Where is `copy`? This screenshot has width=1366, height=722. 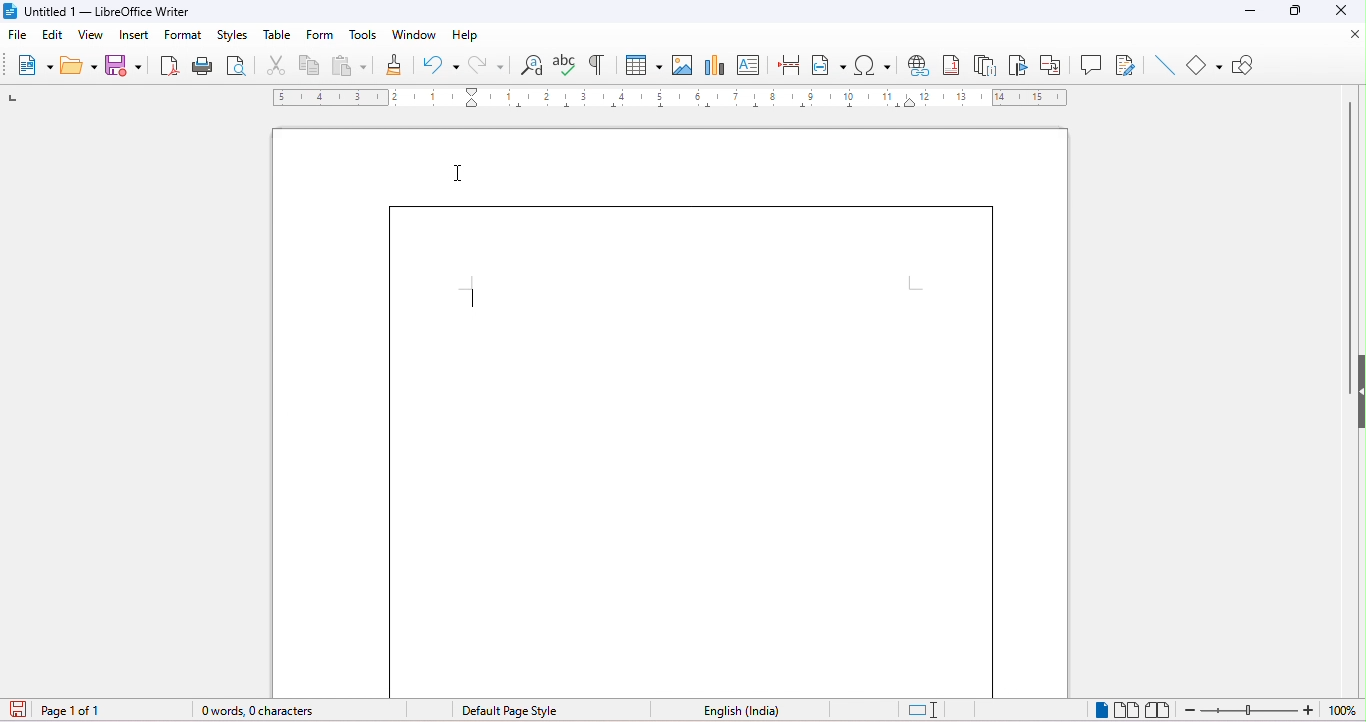
copy is located at coordinates (310, 69).